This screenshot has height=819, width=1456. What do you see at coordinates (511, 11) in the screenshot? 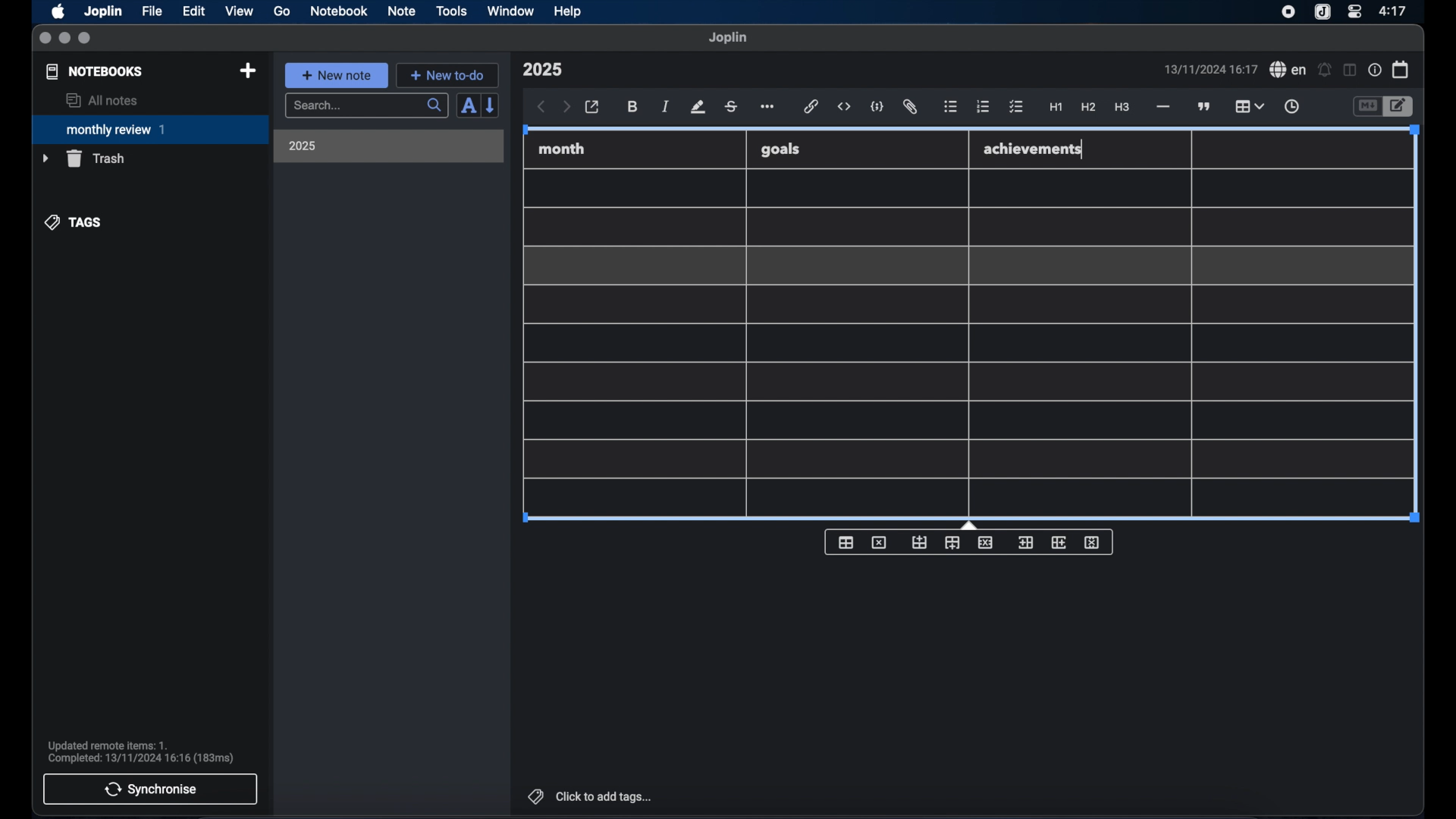
I see `window` at bounding box center [511, 11].